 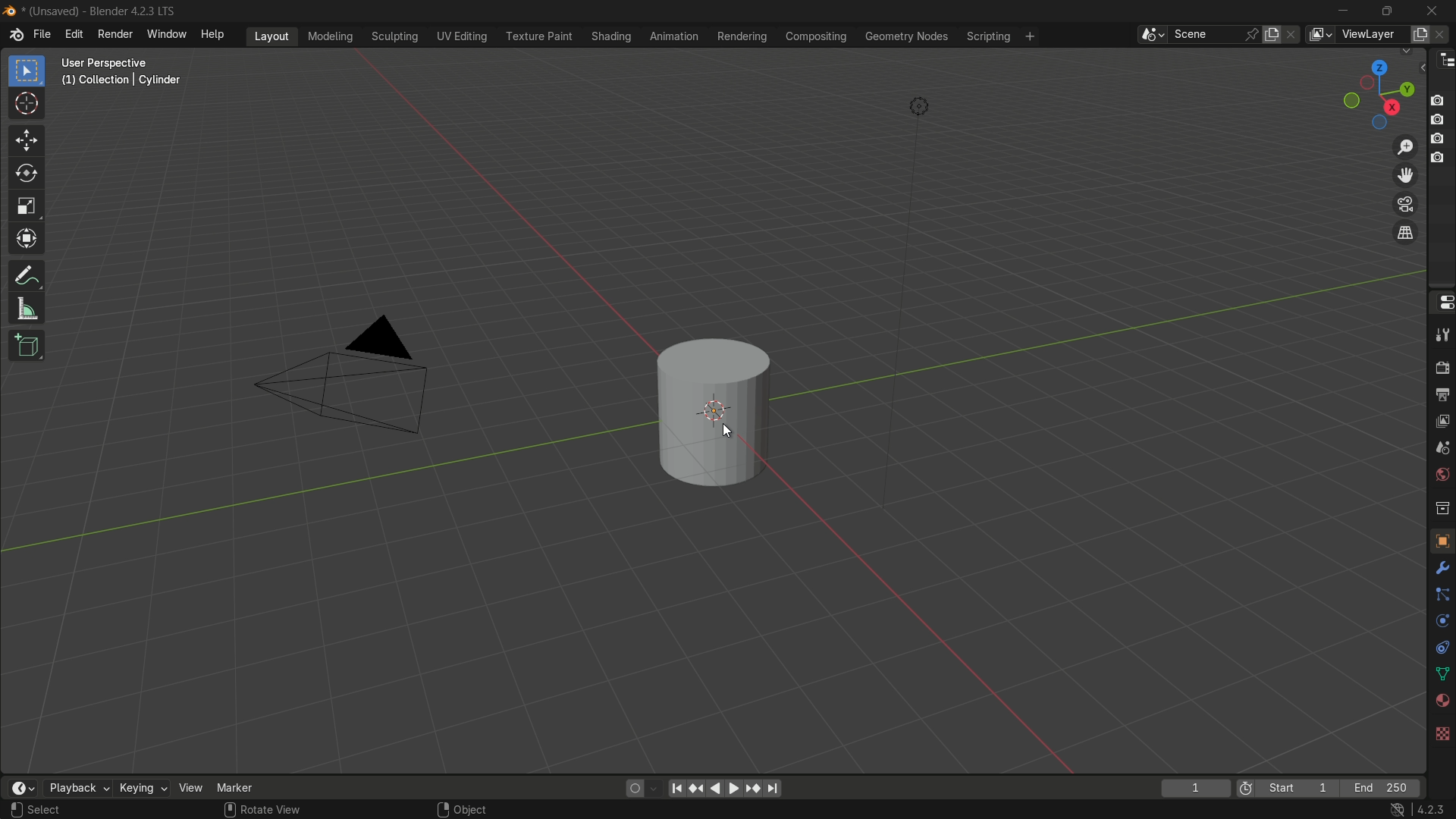 I want to click on materials, so click(x=1439, y=701).